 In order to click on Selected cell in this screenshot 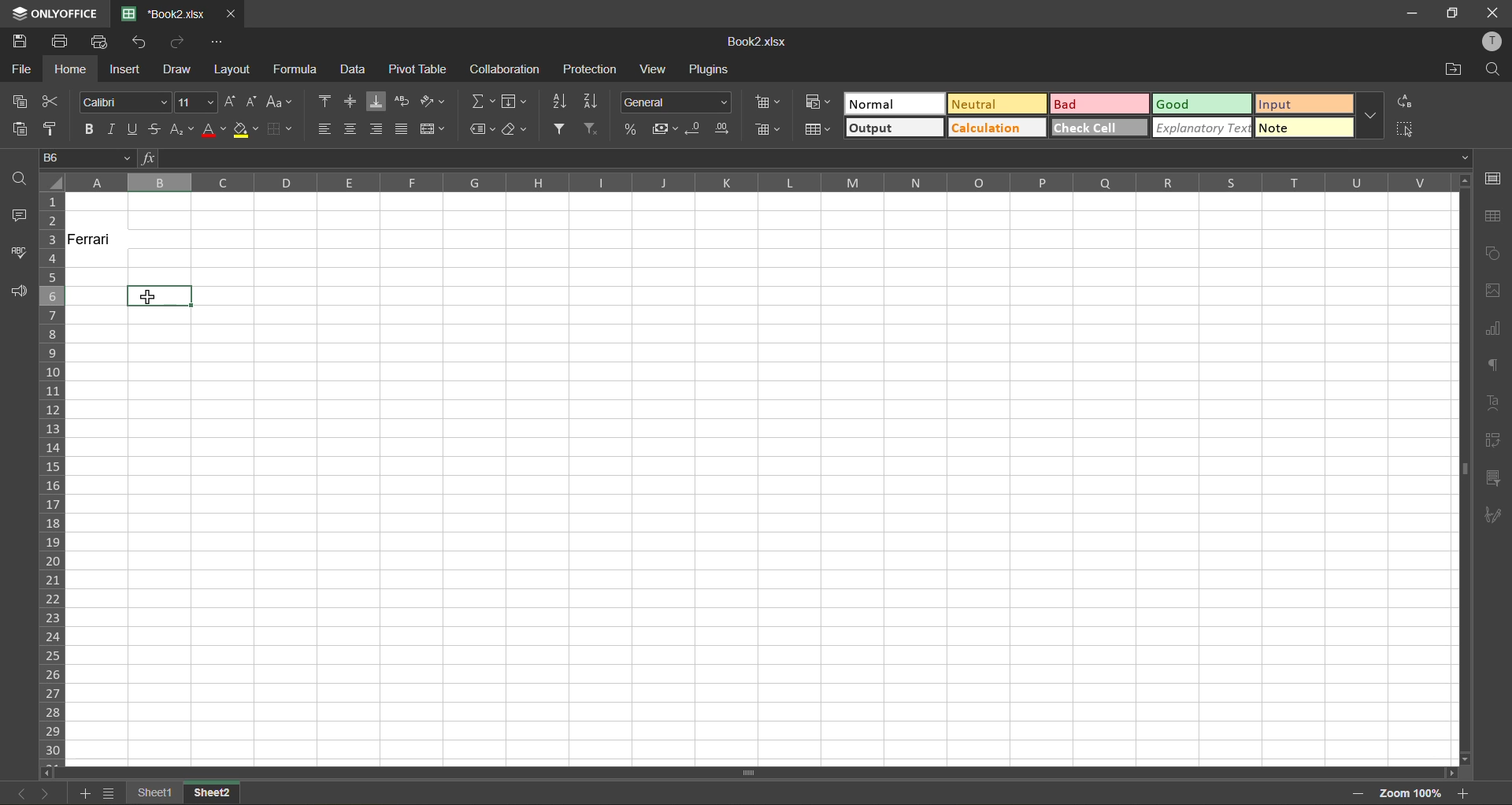, I will do `click(160, 295)`.